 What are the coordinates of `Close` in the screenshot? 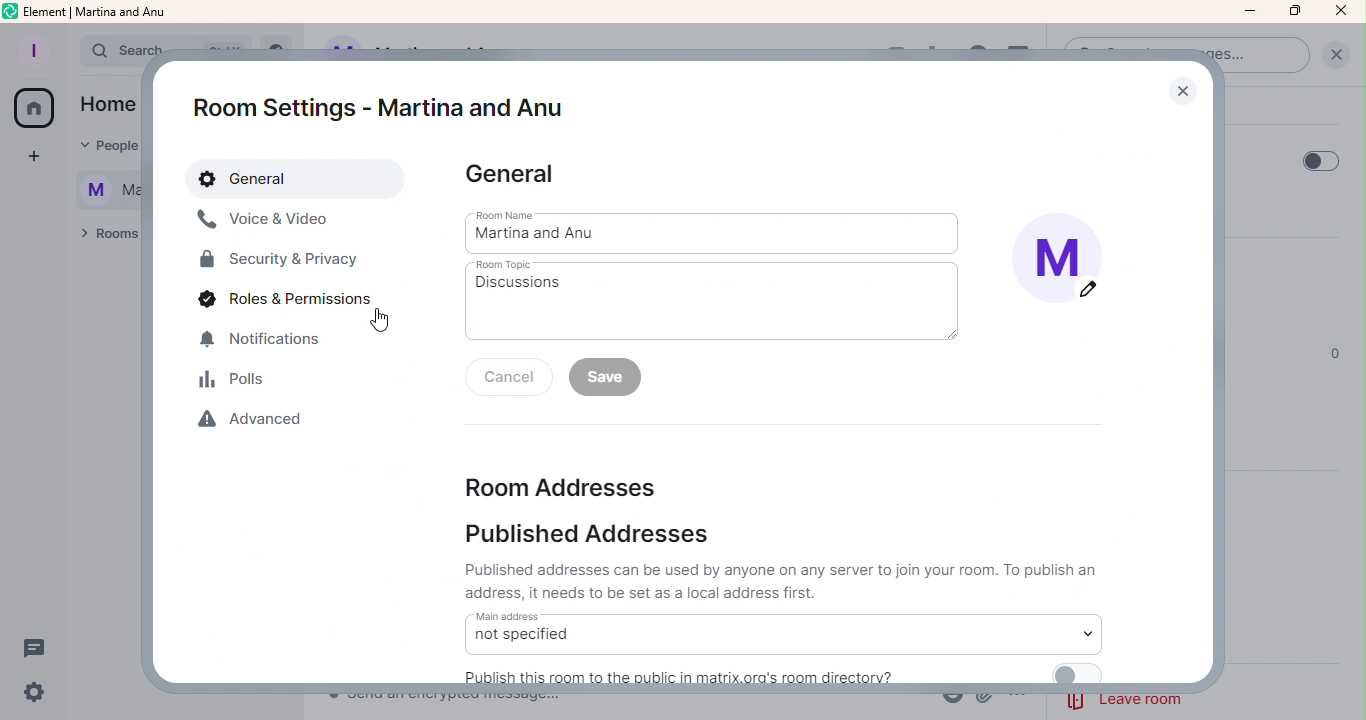 It's located at (1182, 90).